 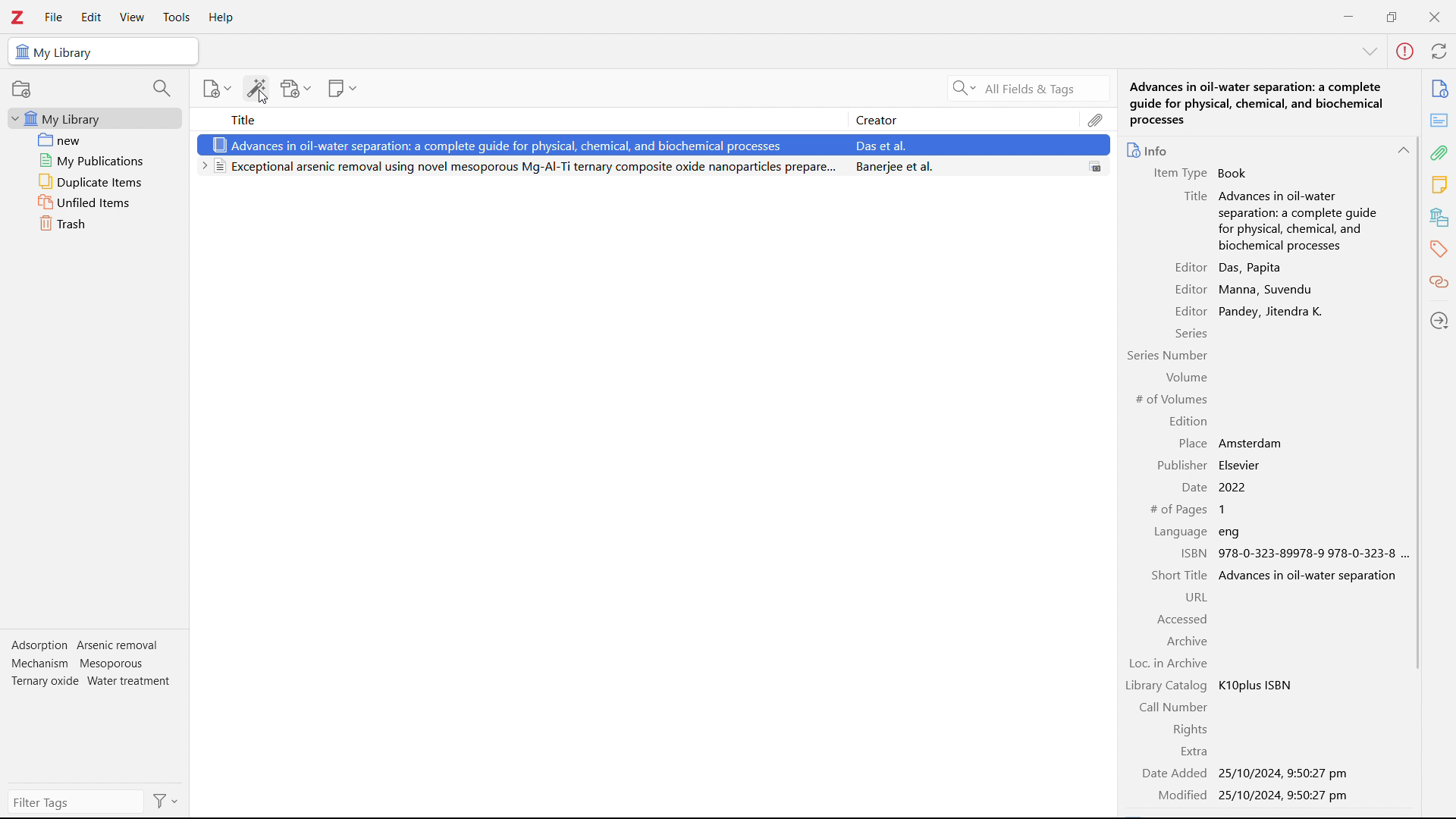 What do you see at coordinates (296, 88) in the screenshot?
I see `add attachments` at bounding box center [296, 88].